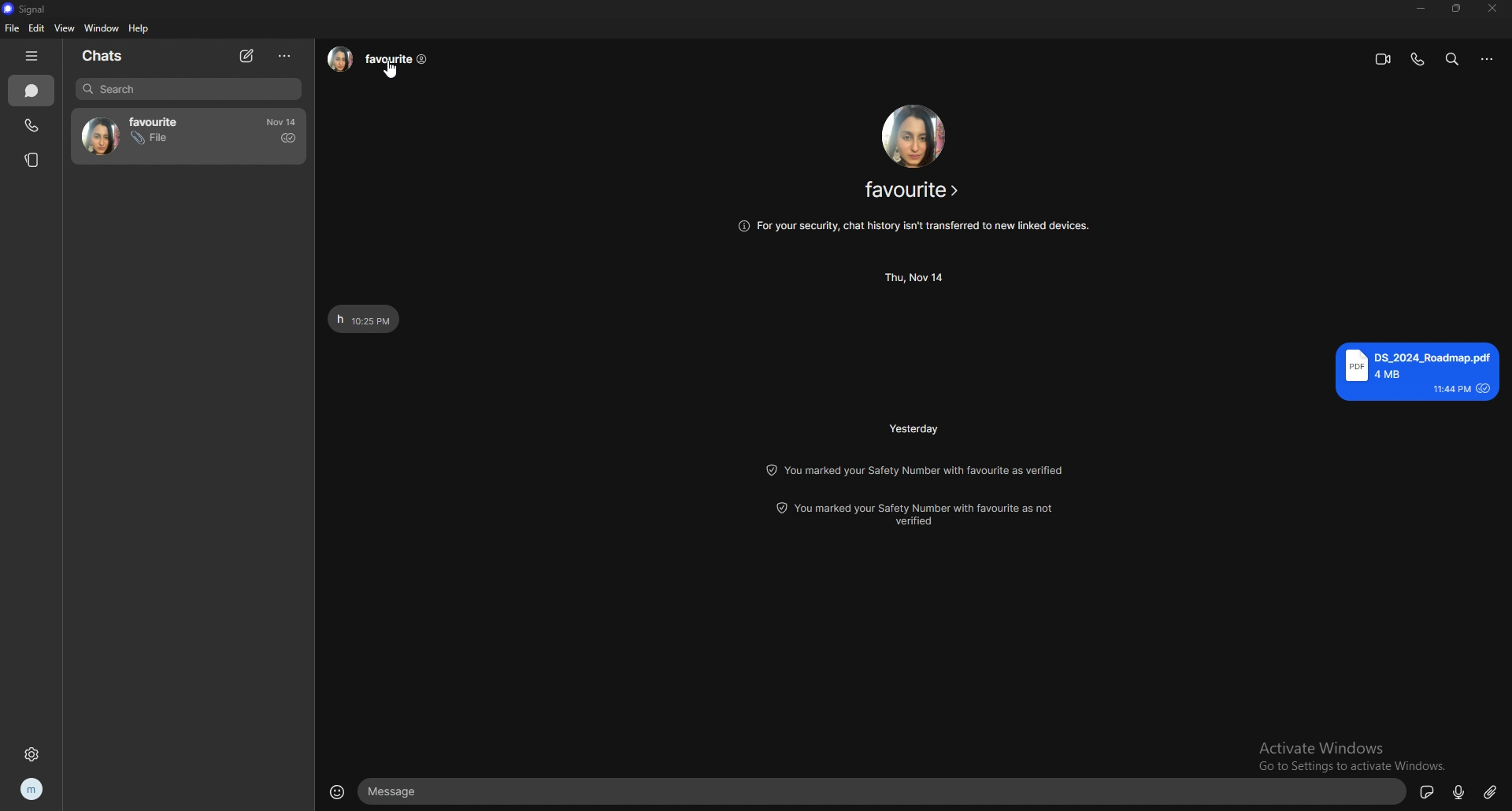 The width and height of the screenshot is (1512, 811). I want to click on options, so click(283, 57).